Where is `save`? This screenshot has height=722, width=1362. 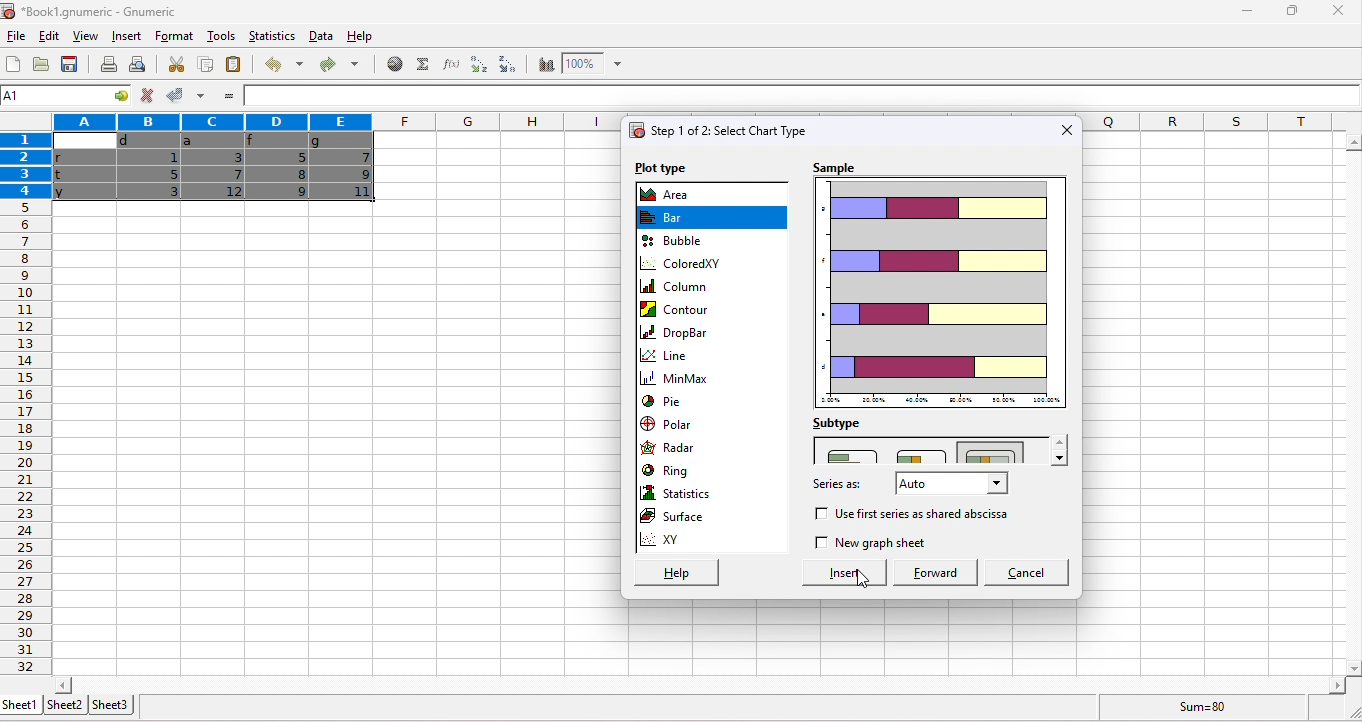 save is located at coordinates (70, 63).